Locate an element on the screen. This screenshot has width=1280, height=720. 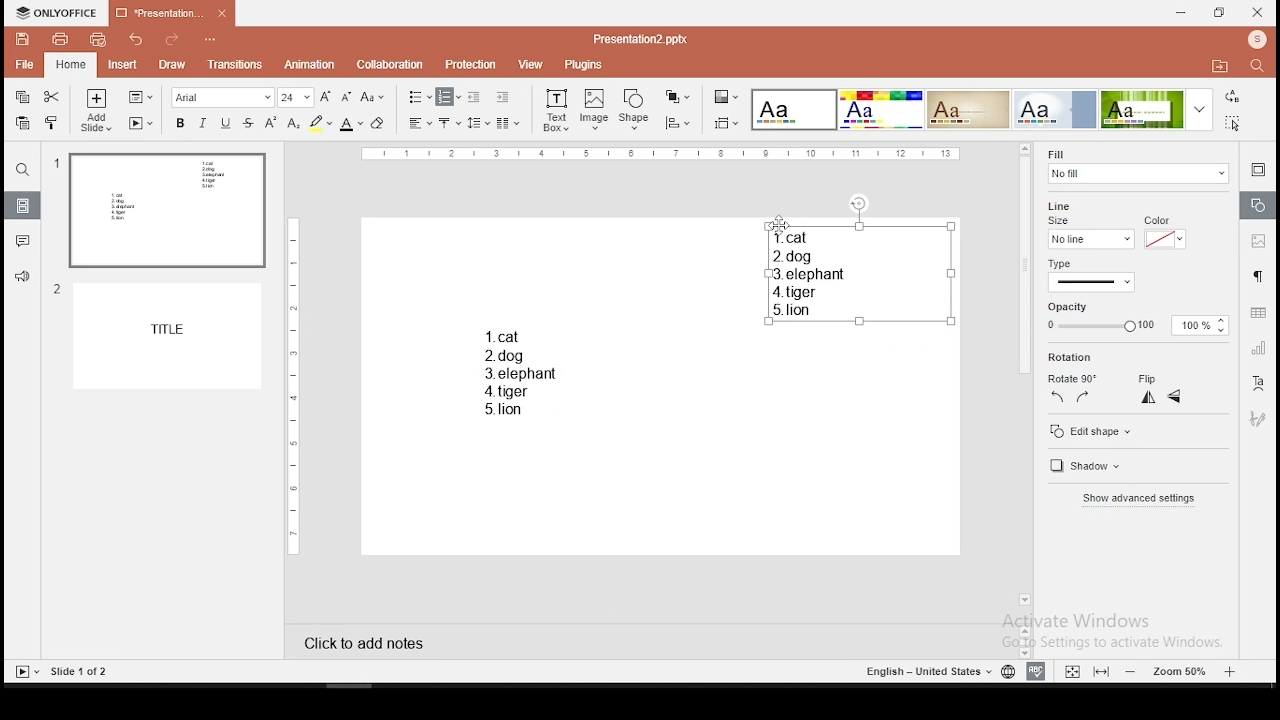
decrease font size is located at coordinates (344, 95).